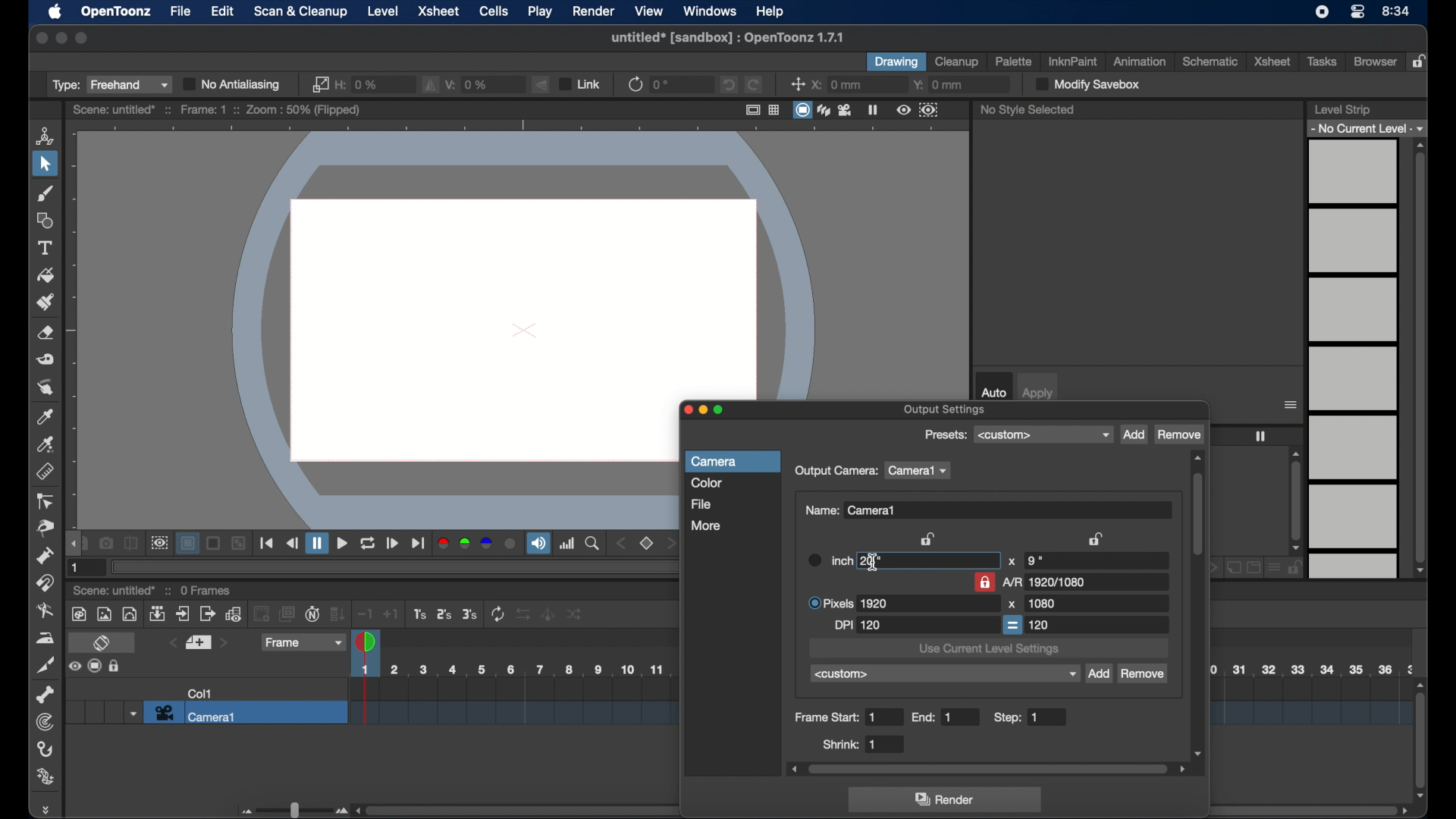  What do you see at coordinates (45, 301) in the screenshot?
I see `paint brush tool` at bounding box center [45, 301].